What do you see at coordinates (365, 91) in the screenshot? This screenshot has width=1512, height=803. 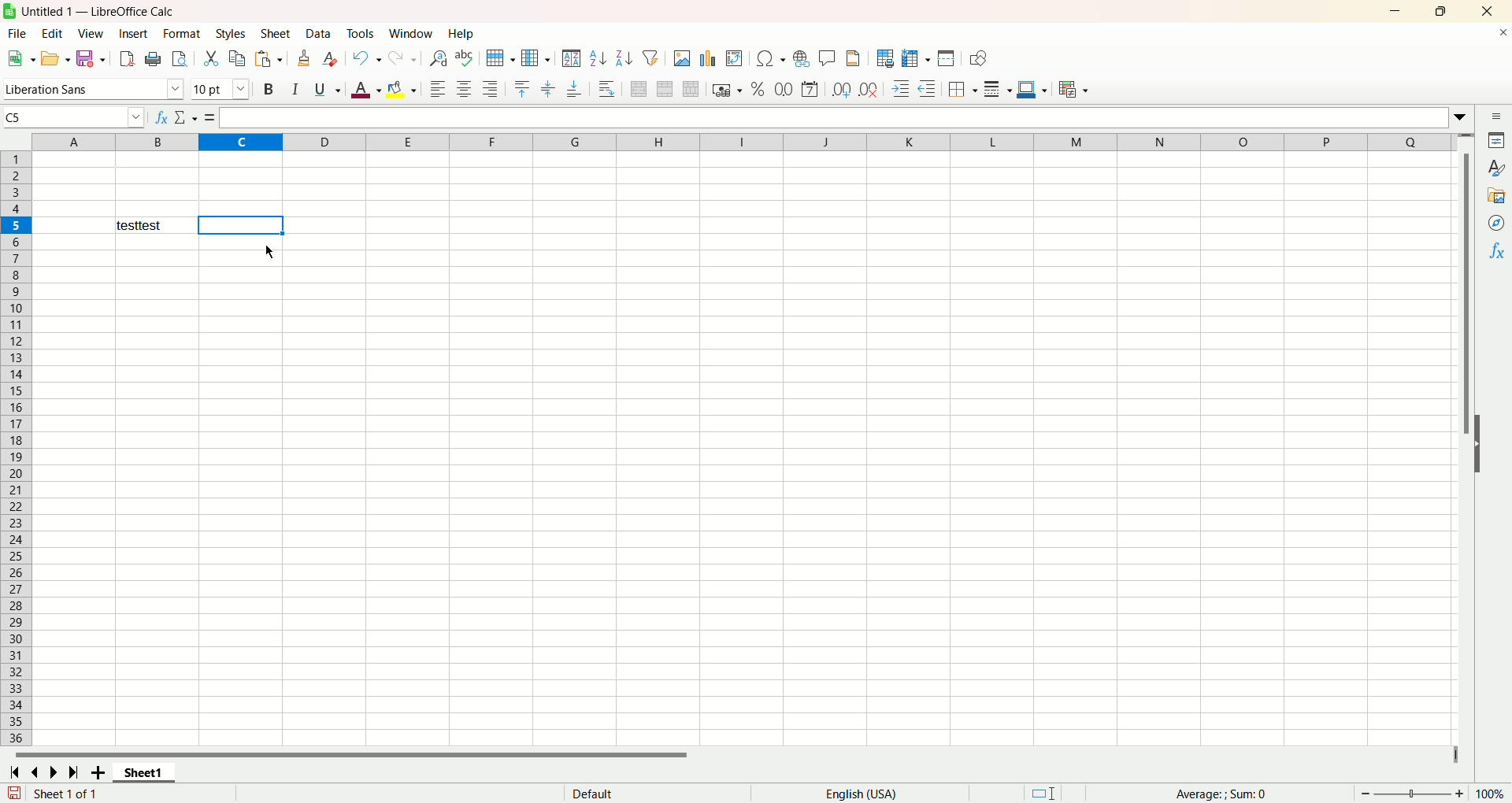 I see `font color` at bounding box center [365, 91].